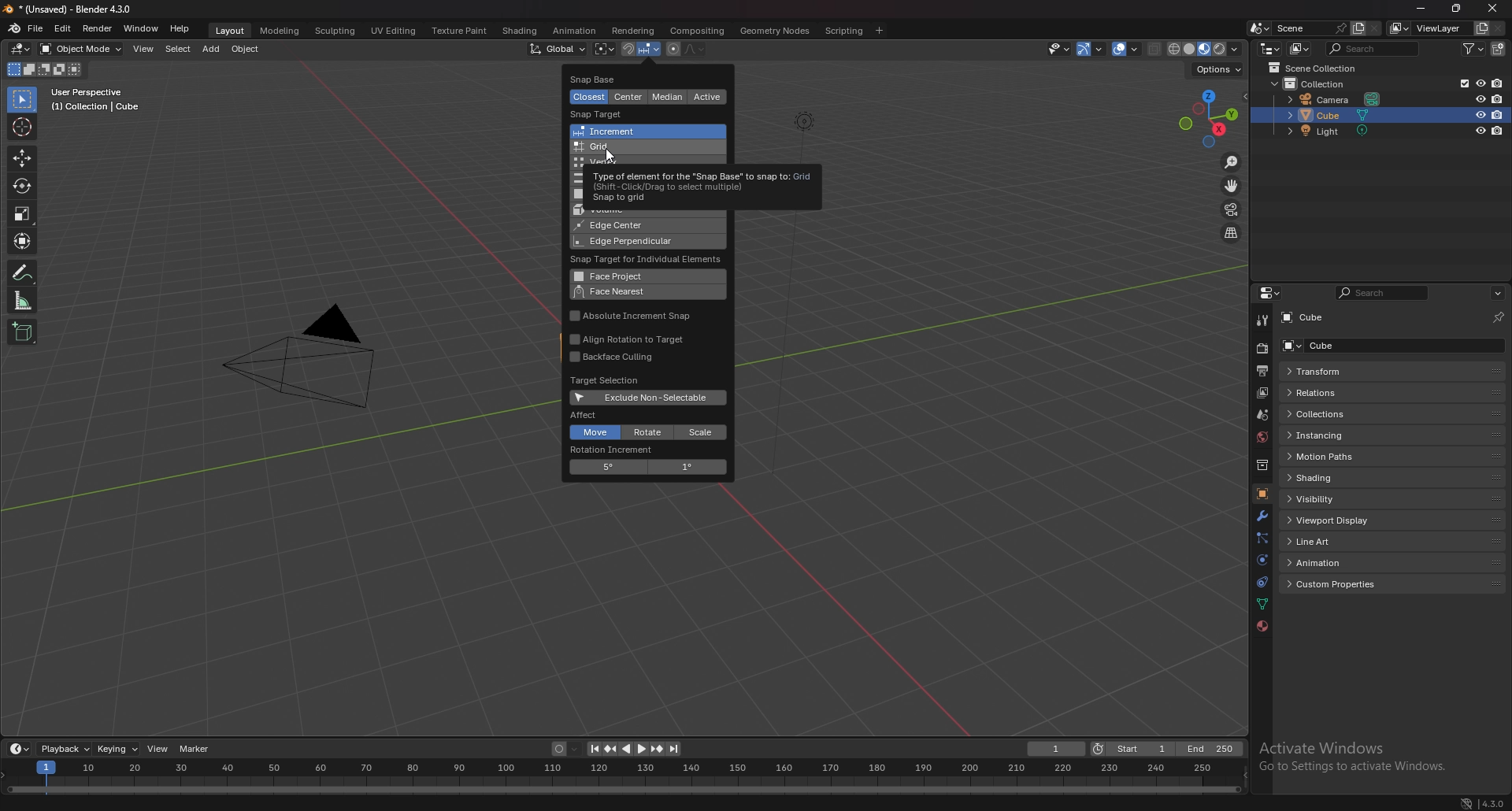 The width and height of the screenshot is (1512, 811). Describe the element at coordinates (1496, 83) in the screenshot. I see `disable in renders` at that location.